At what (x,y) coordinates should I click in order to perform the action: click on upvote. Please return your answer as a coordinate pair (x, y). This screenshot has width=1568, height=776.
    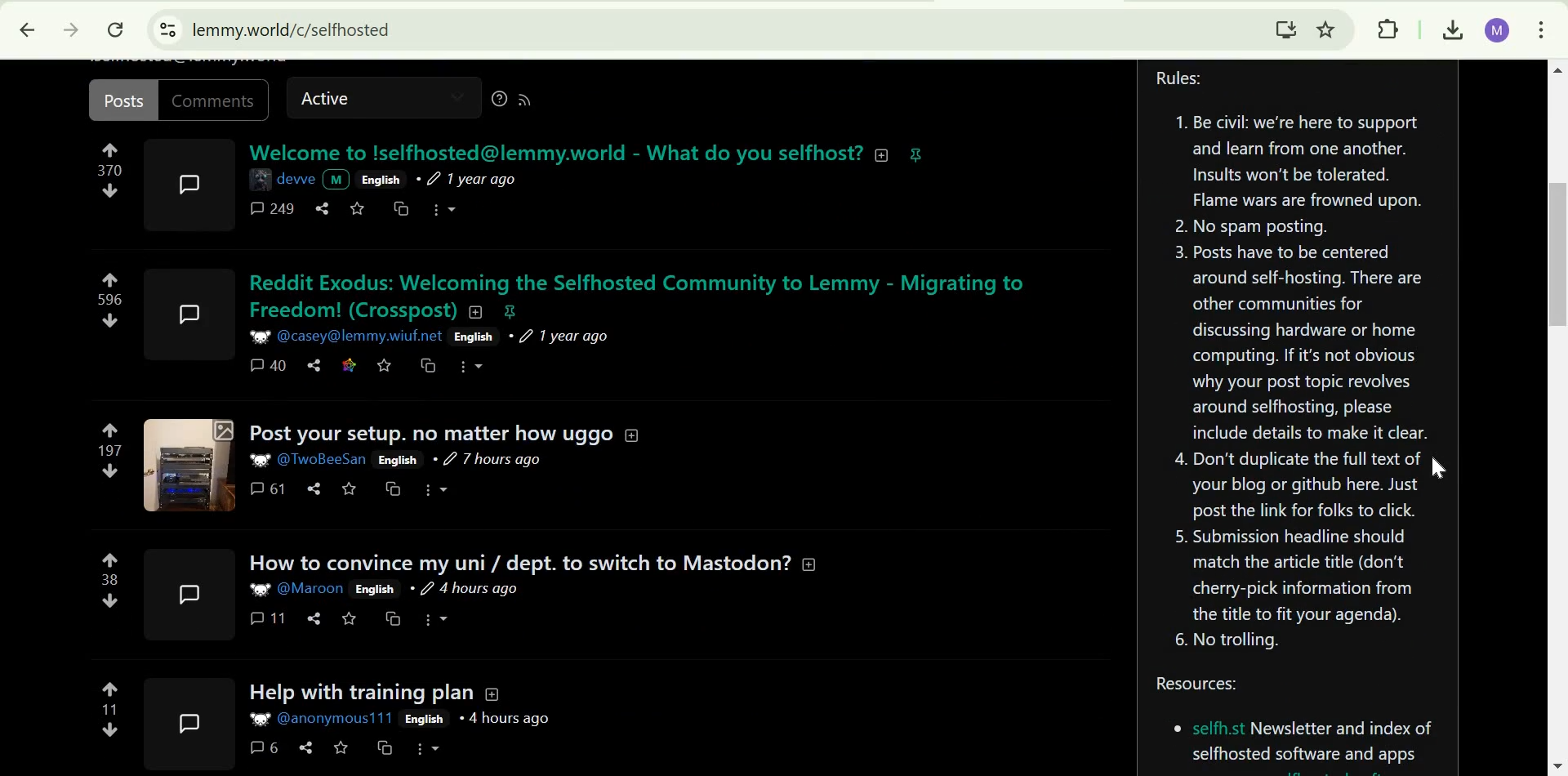
    Looking at the image, I should click on (109, 150).